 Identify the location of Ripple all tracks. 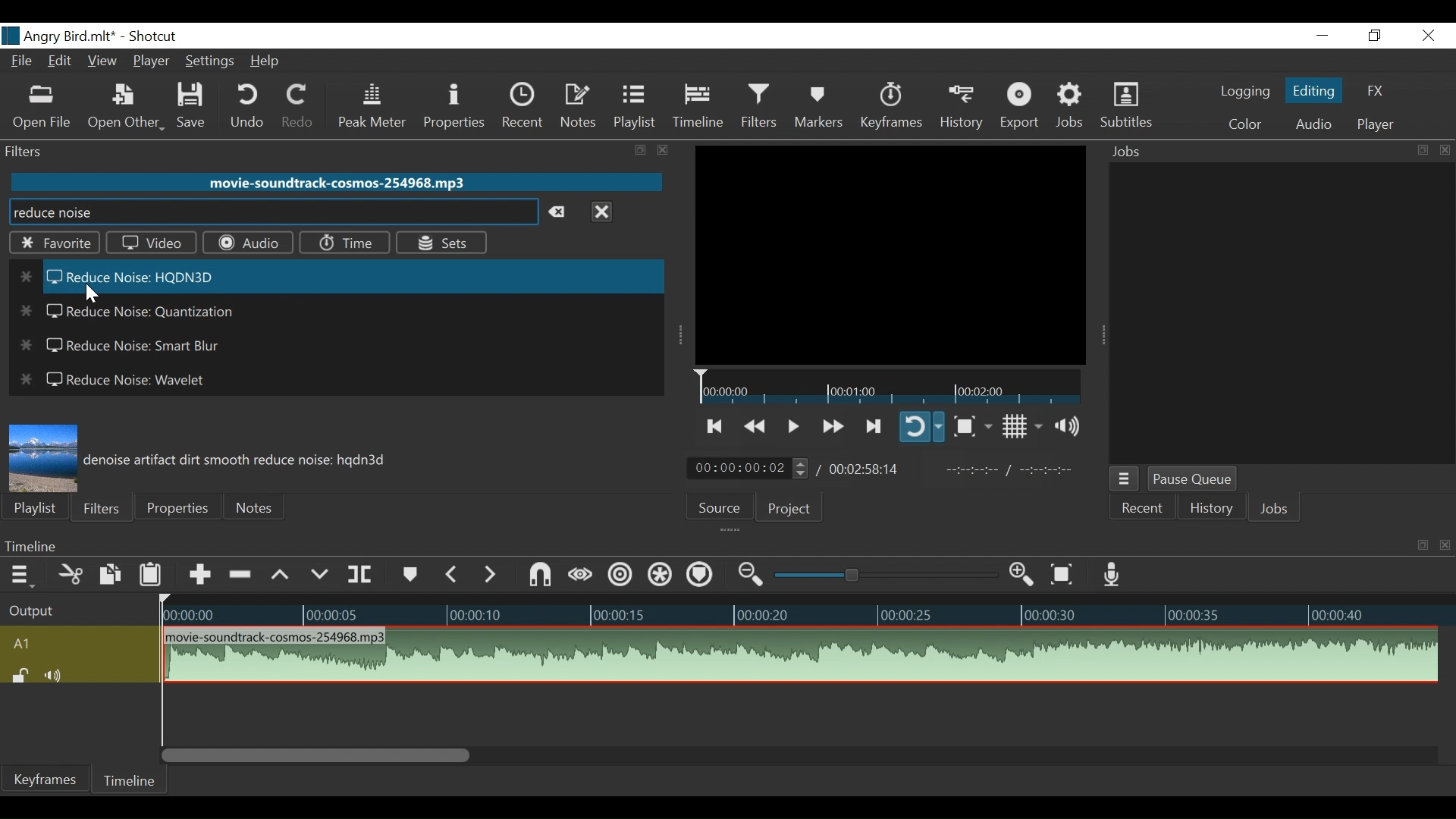
(661, 576).